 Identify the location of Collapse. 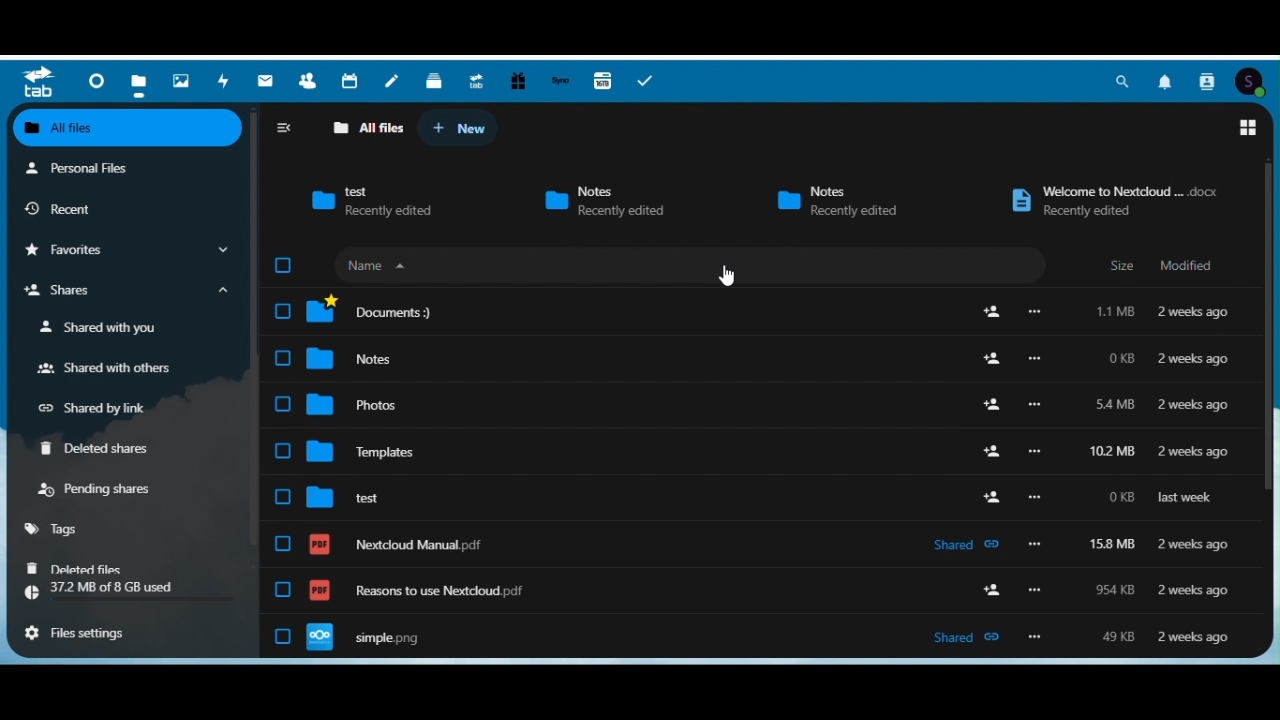
(285, 128).